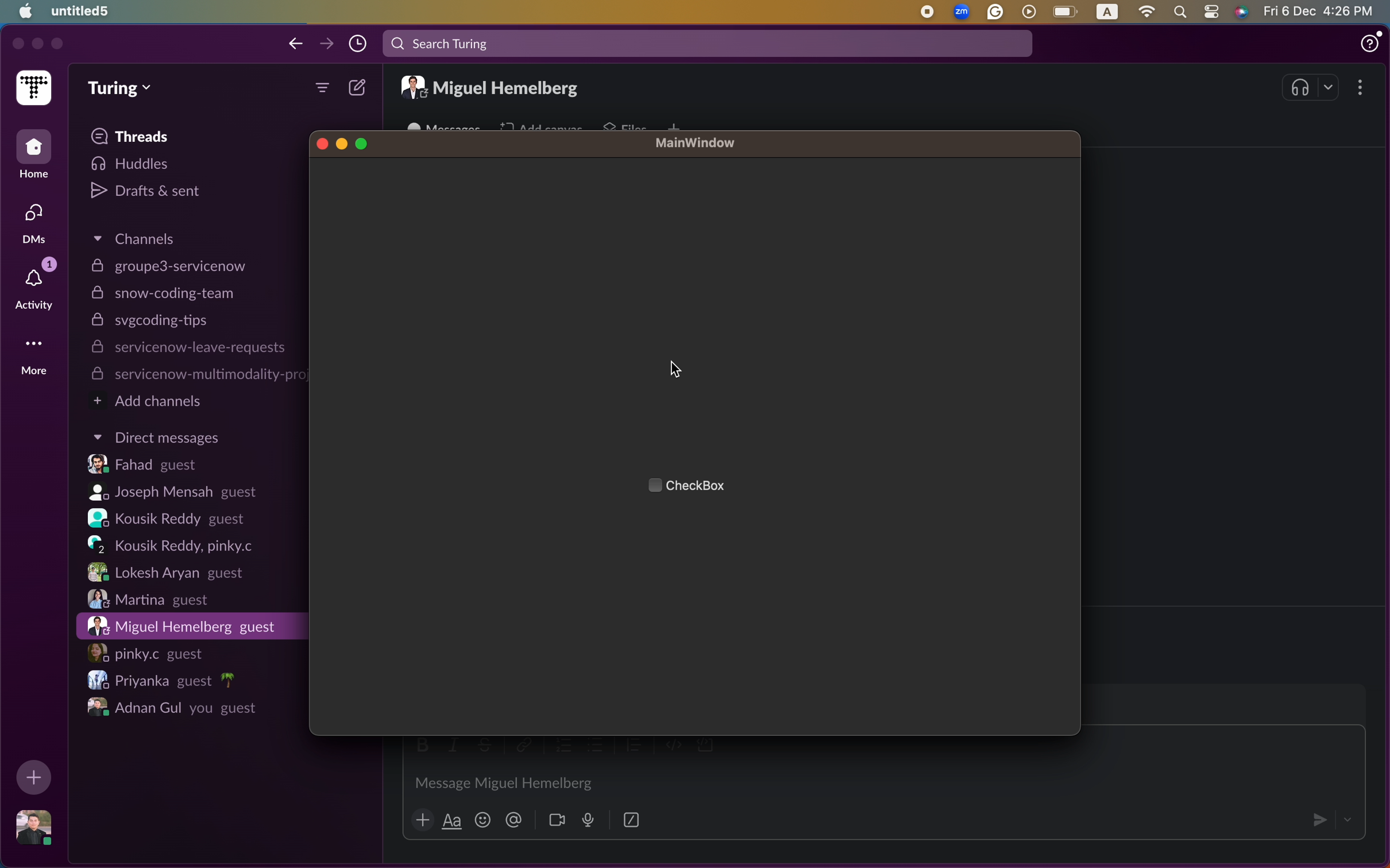  I want to click on pinky.c, so click(148, 652).